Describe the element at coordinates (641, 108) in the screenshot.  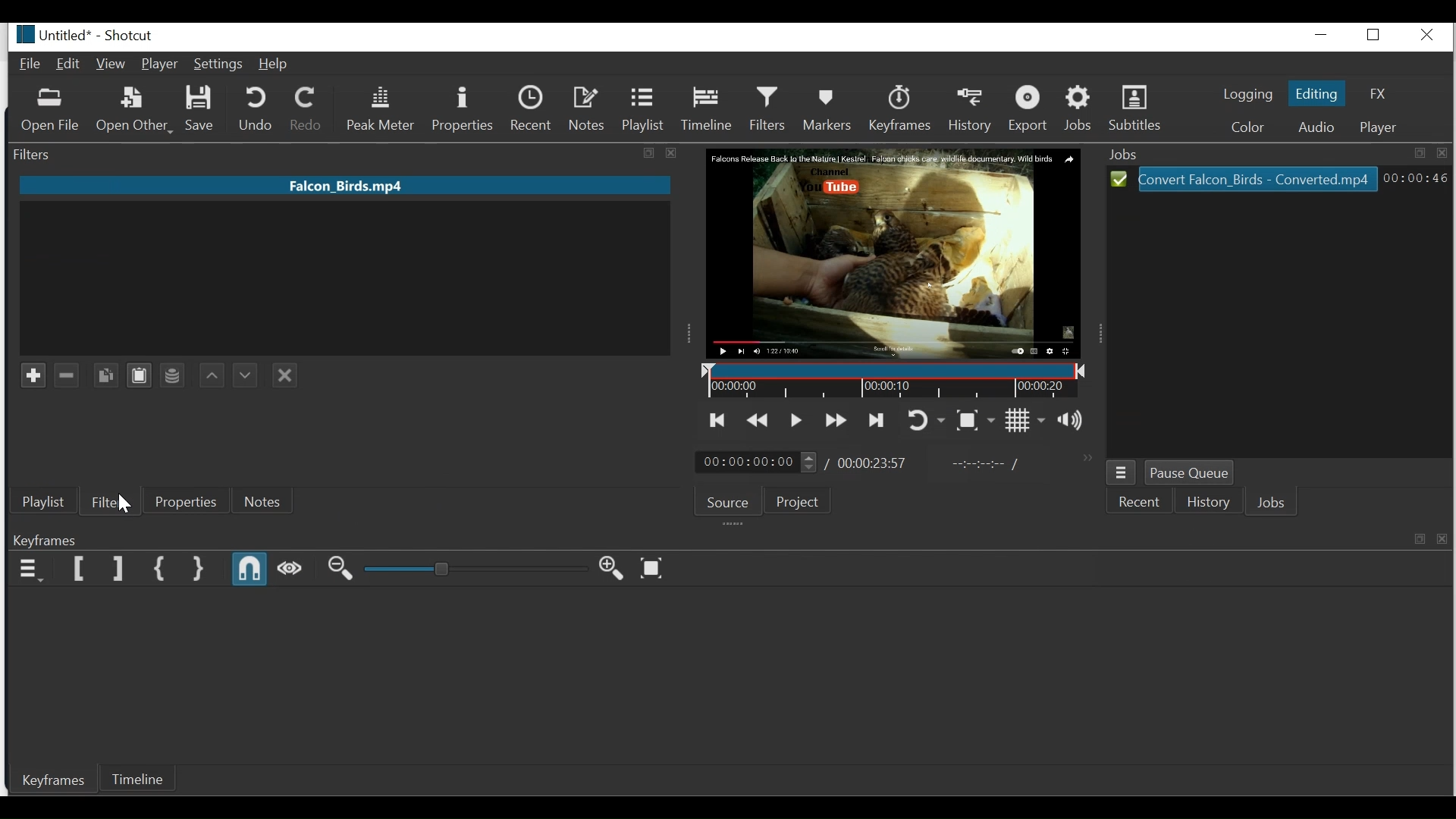
I see `Playlist` at that location.